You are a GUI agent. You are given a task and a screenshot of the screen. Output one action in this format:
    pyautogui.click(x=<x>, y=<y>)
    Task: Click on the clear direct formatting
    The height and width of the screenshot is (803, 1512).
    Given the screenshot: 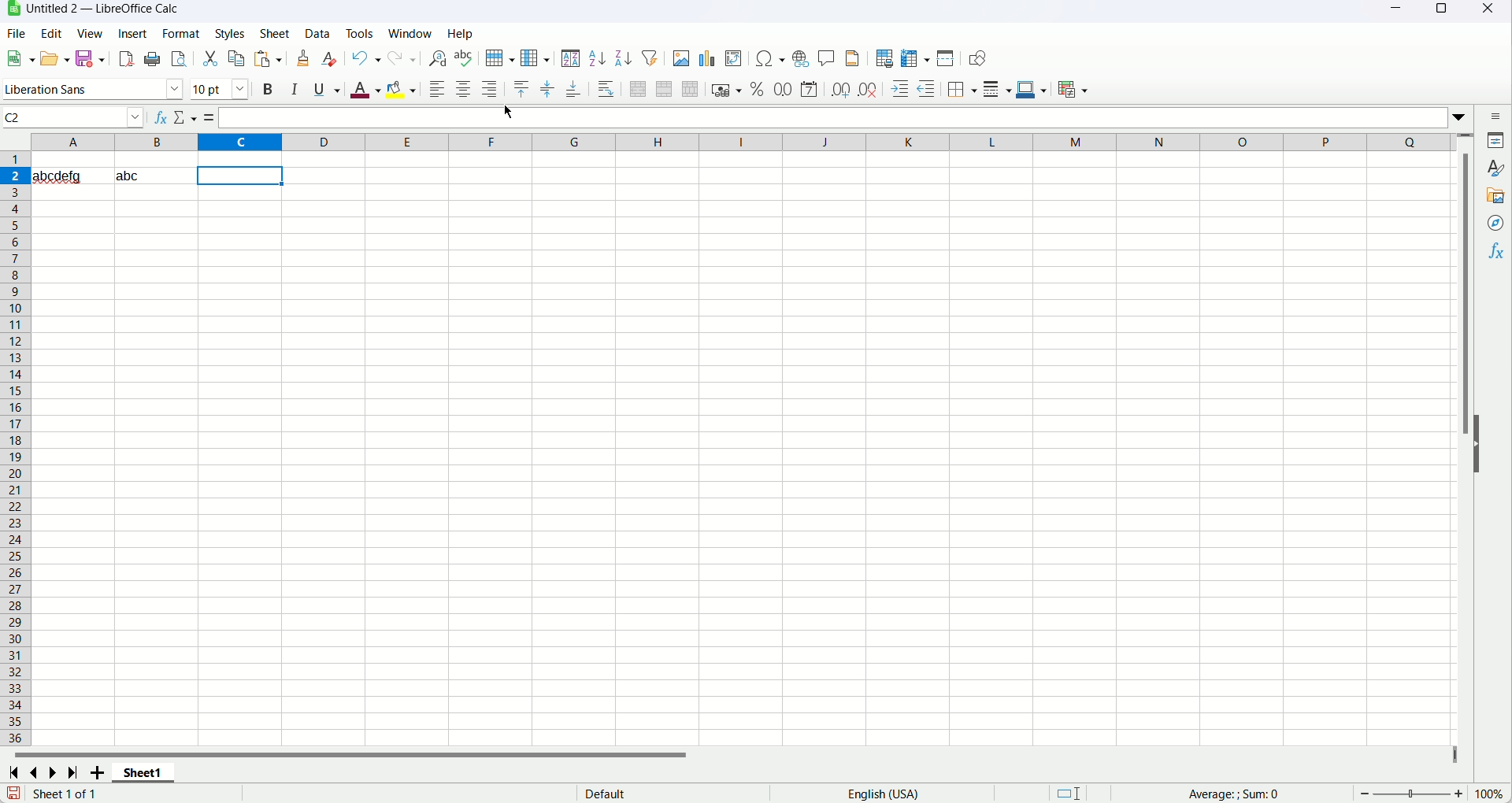 What is the action you would take?
    pyautogui.click(x=328, y=60)
    